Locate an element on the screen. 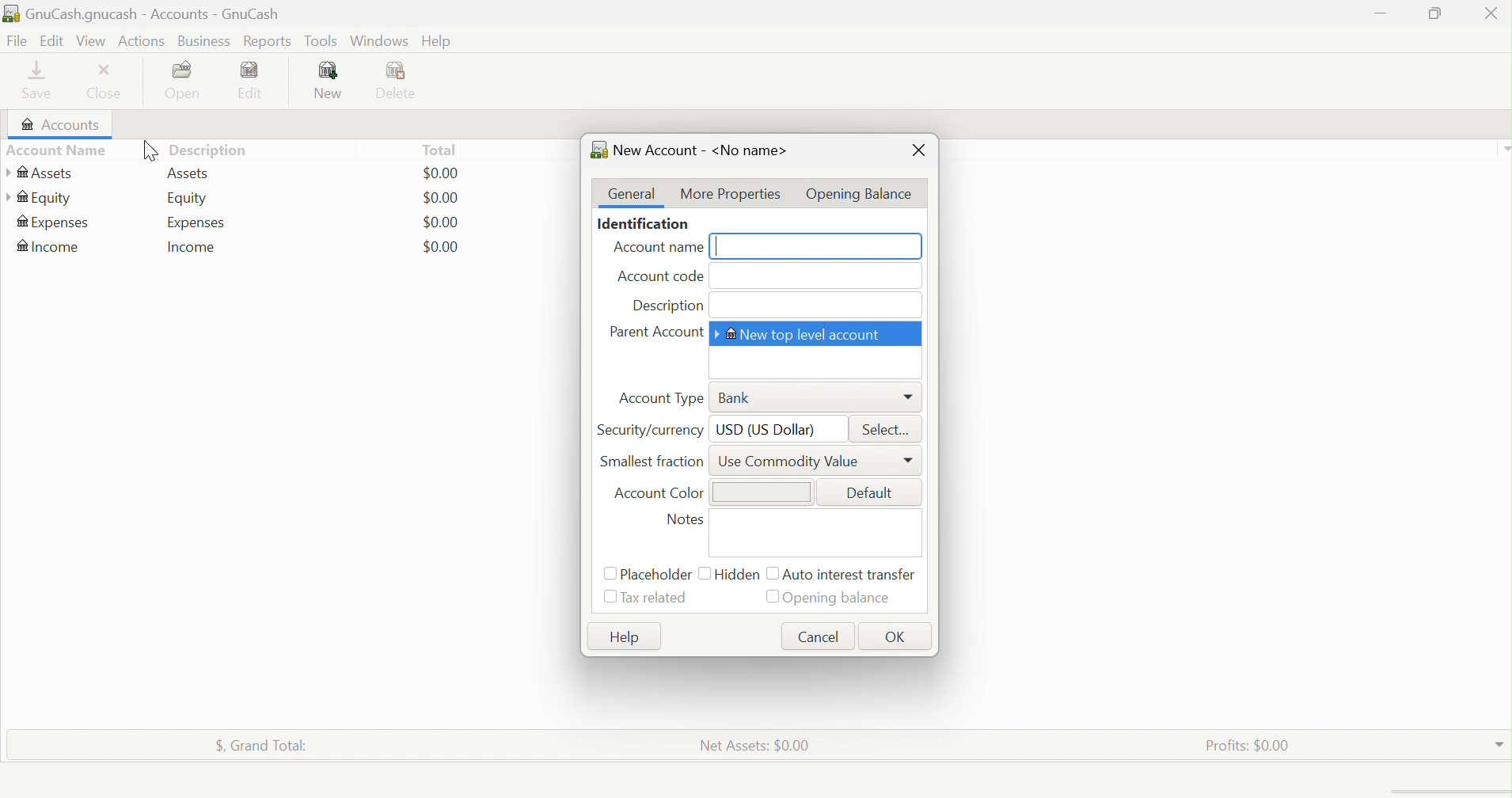 Image resolution: width=1512 pixels, height=798 pixels. Edit is located at coordinates (50, 40).